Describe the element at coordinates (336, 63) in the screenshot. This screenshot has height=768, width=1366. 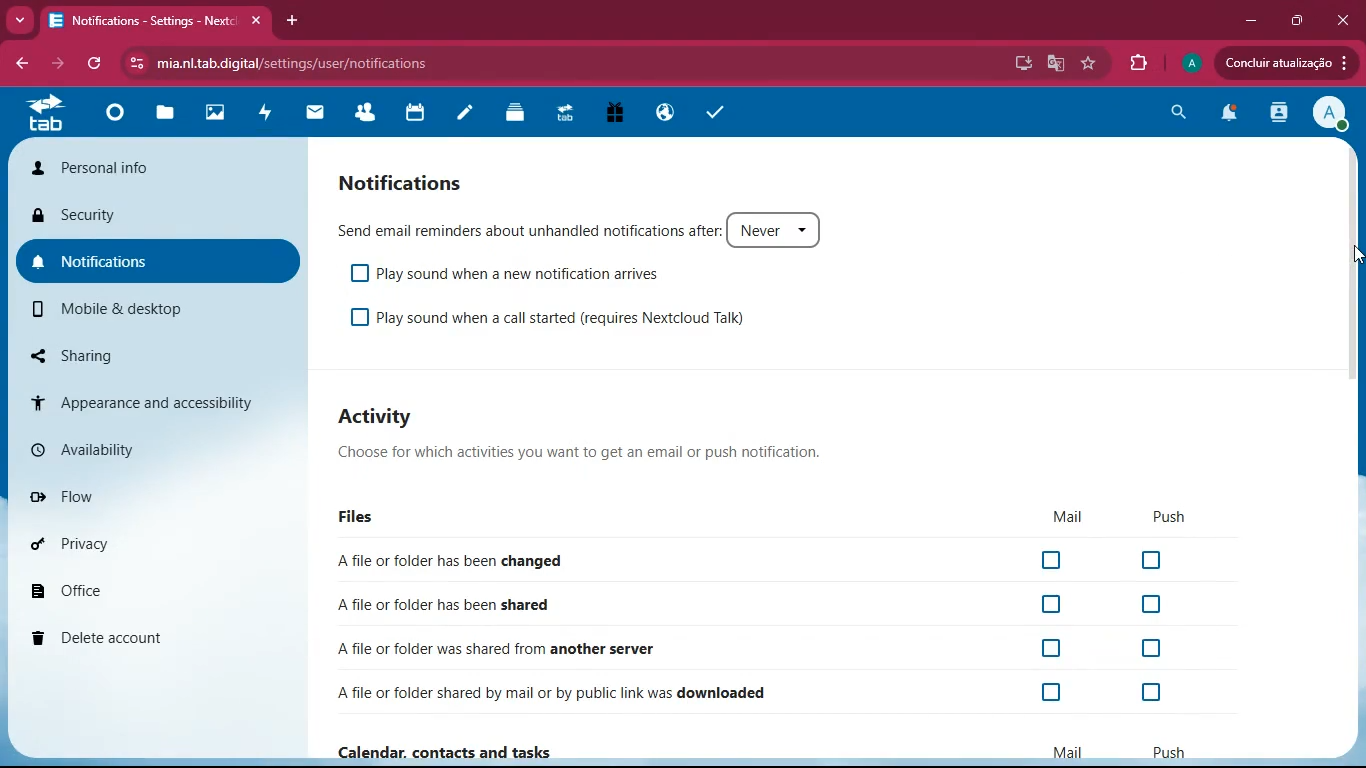
I see `url` at that location.